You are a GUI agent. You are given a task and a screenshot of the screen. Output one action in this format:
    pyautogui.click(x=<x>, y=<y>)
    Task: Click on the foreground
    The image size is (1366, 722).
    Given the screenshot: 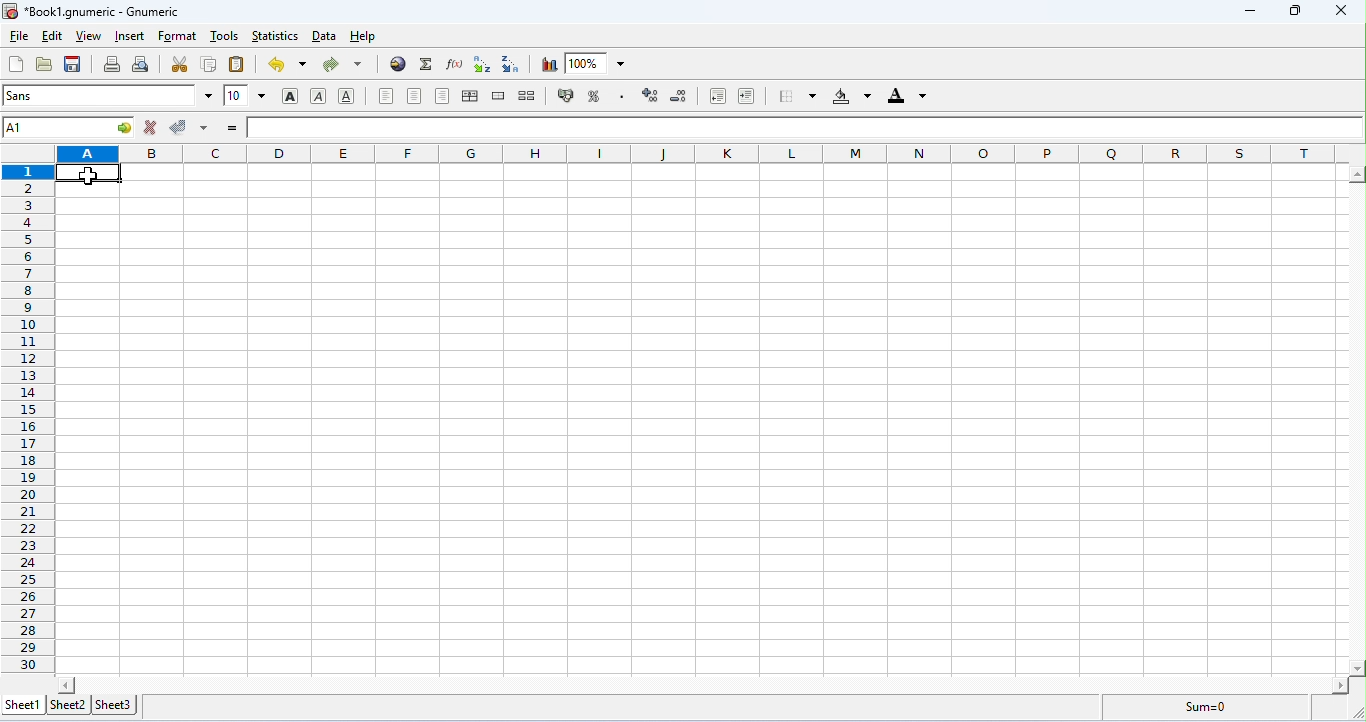 What is the action you would take?
    pyautogui.click(x=908, y=95)
    